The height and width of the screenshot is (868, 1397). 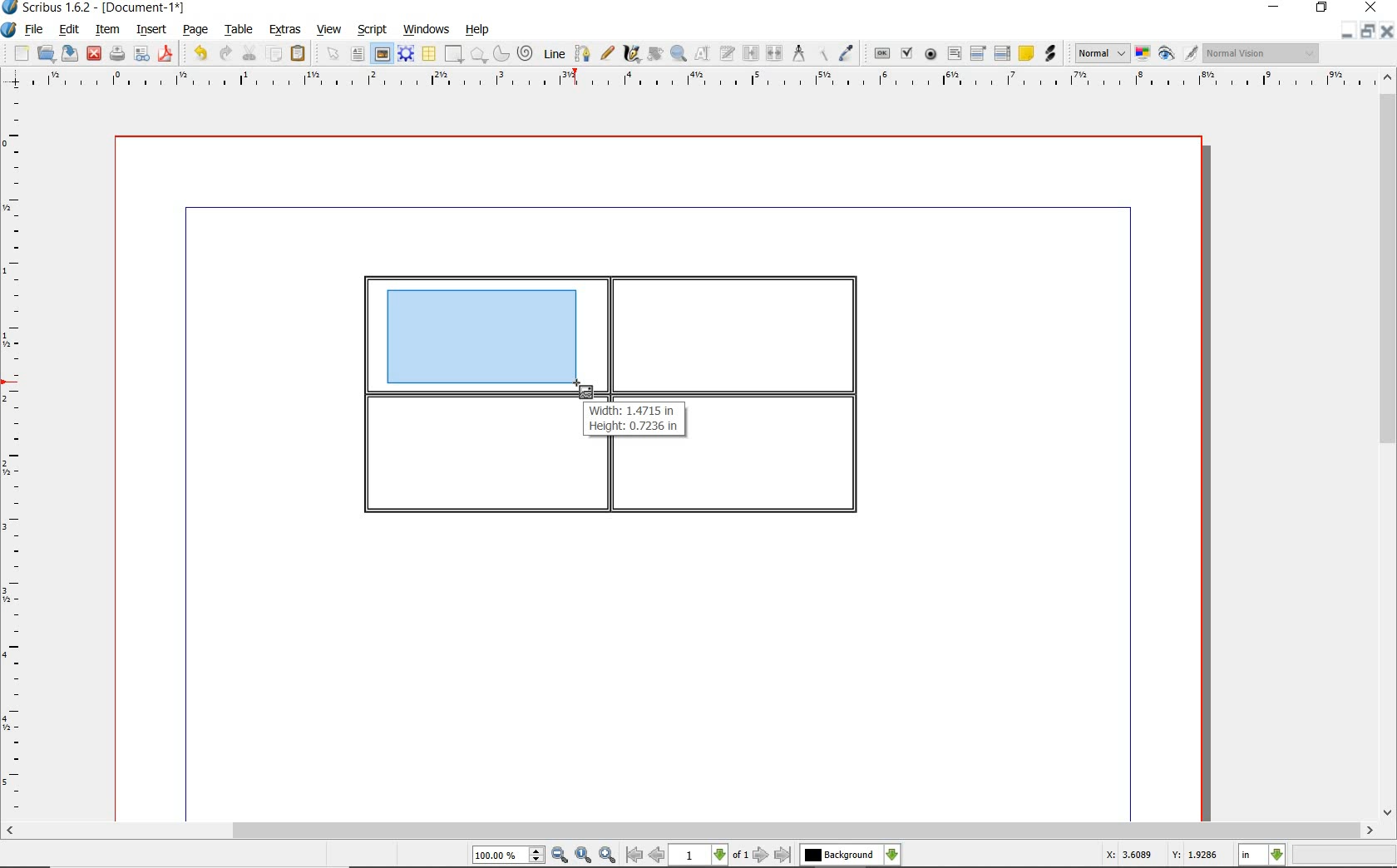 I want to click on close, so click(x=93, y=52).